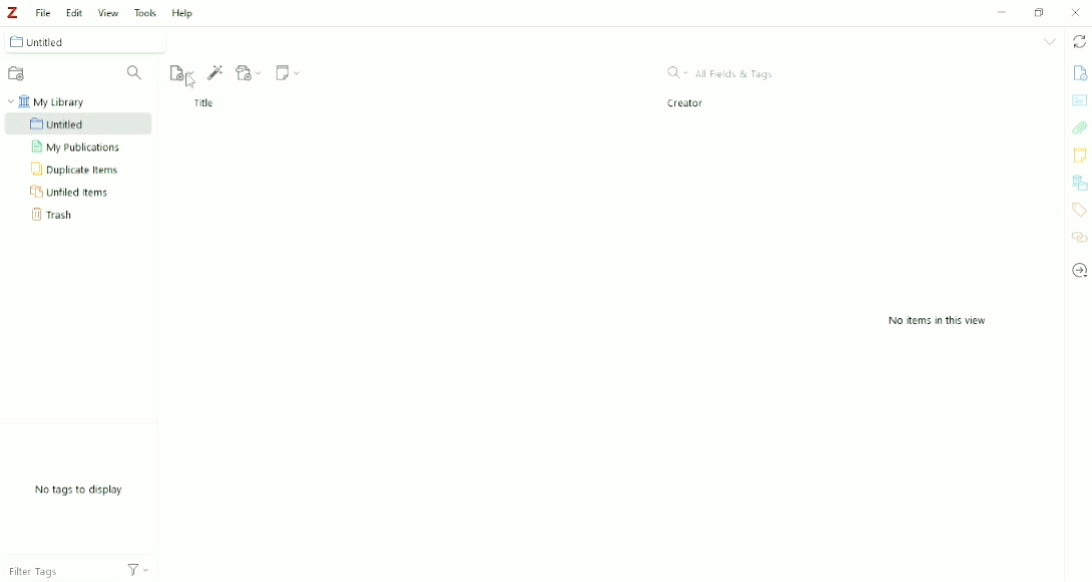 The width and height of the screenshot is (1092, 582). I want to click on No tags to display, so click(79, 490).